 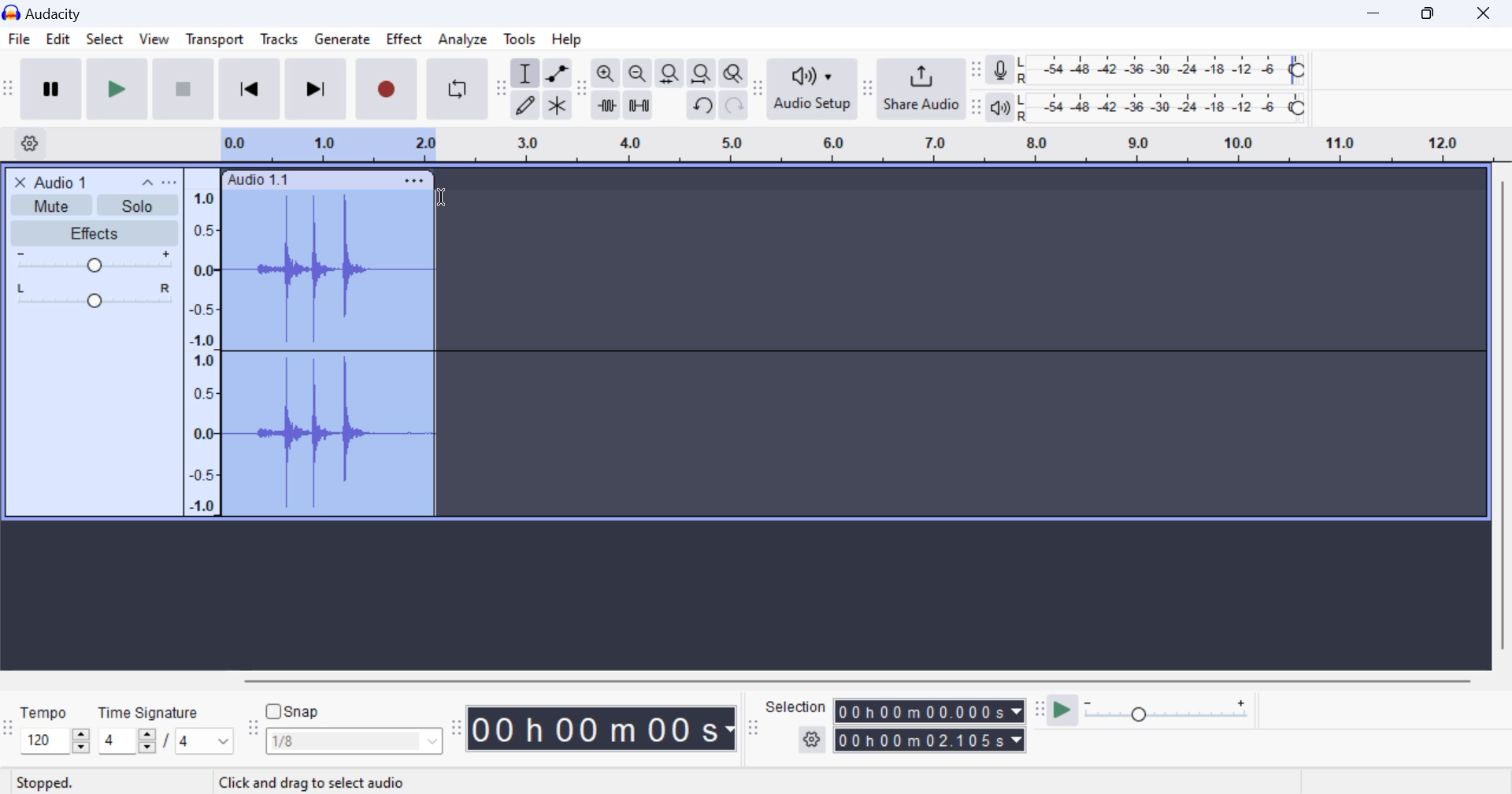 I want to click on Record, so click(x=384, y=90).